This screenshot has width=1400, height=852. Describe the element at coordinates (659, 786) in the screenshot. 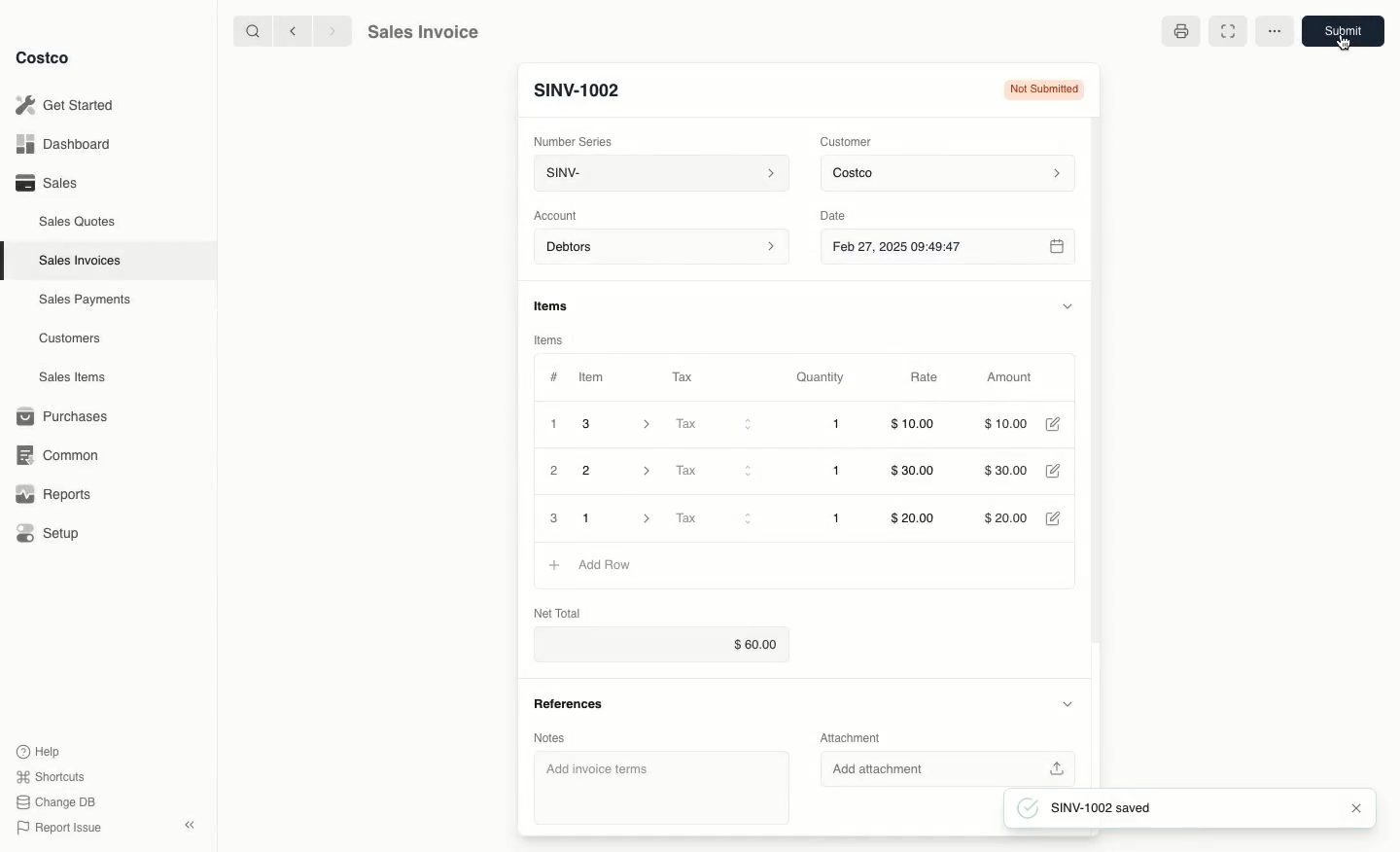

I see `‘Add invoice terms` at that location.